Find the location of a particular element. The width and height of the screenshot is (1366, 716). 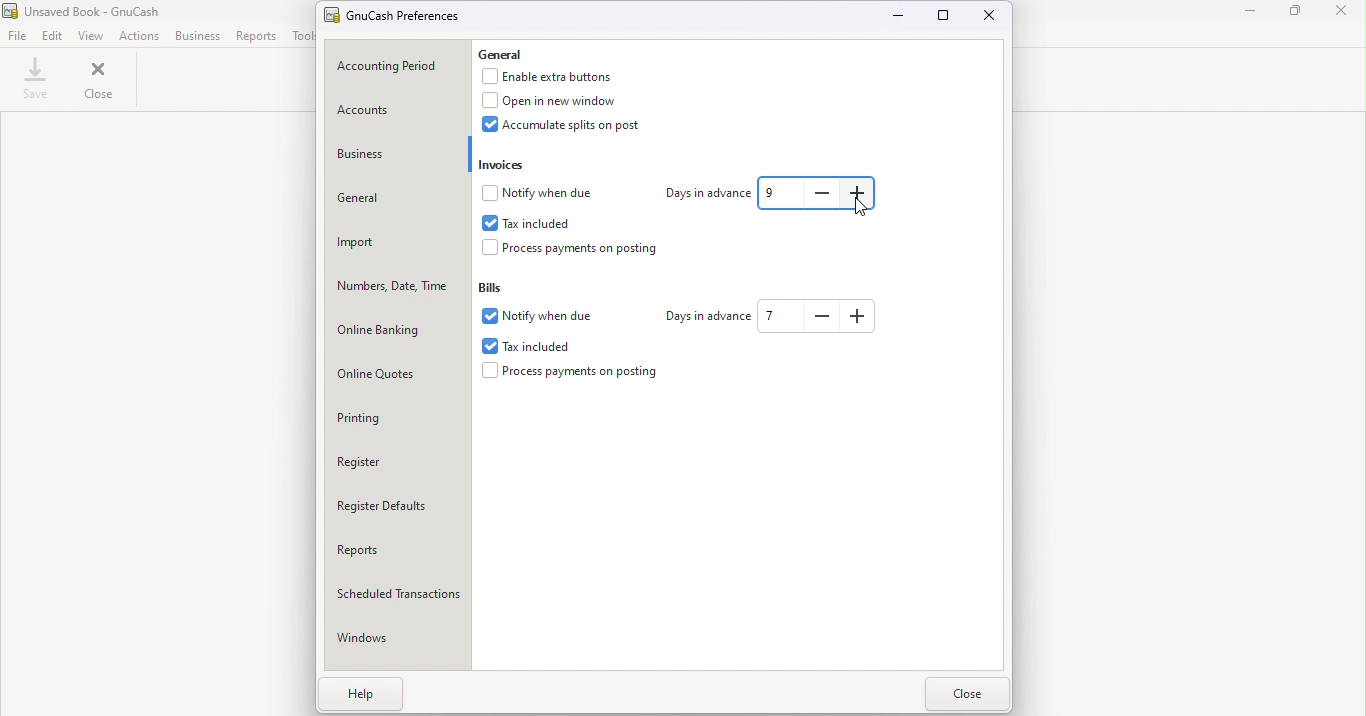

Invoices is located at coordinates (504, 164).